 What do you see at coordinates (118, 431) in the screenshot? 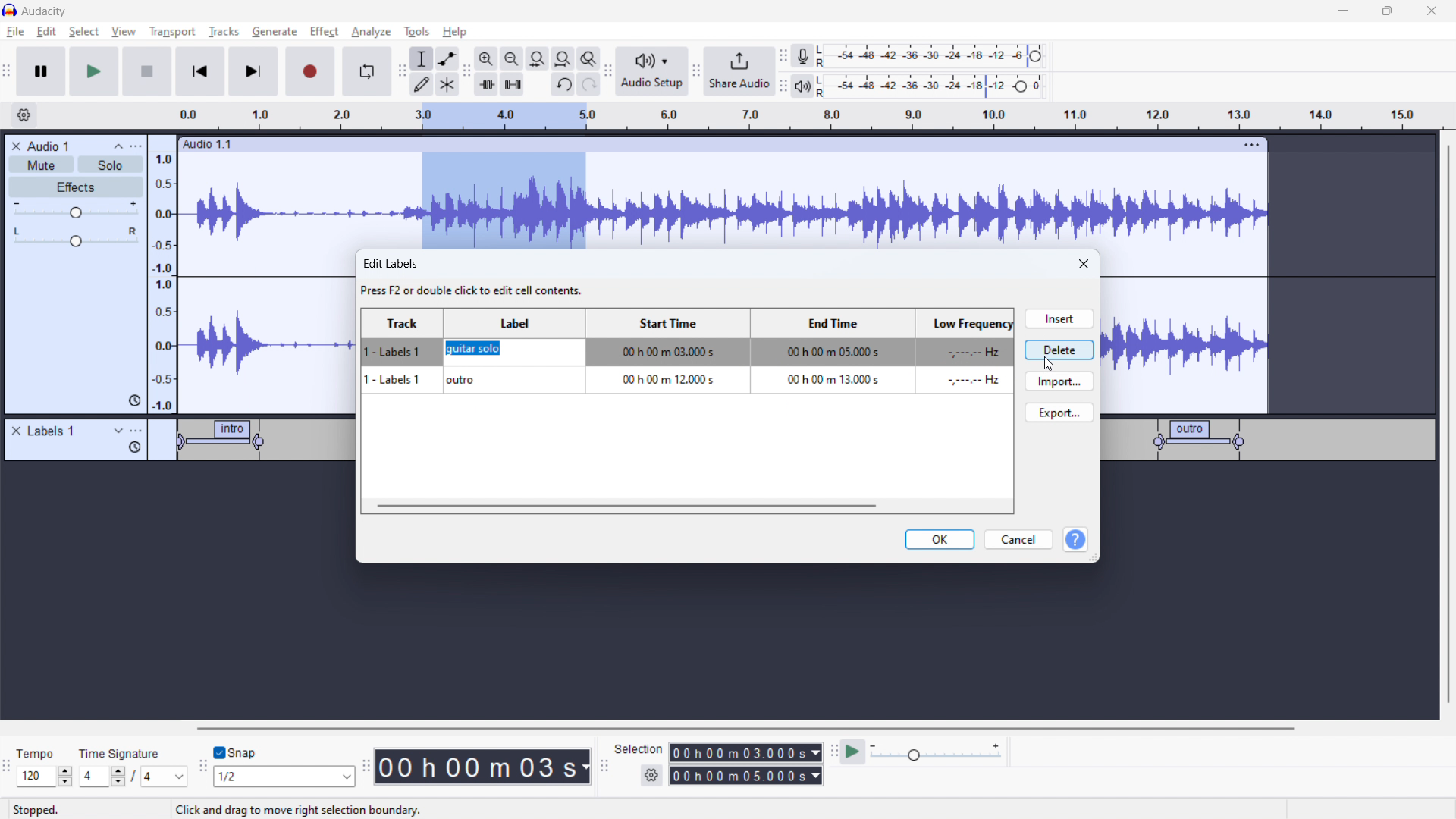
I see `expand` at bounding box center [118, 431].